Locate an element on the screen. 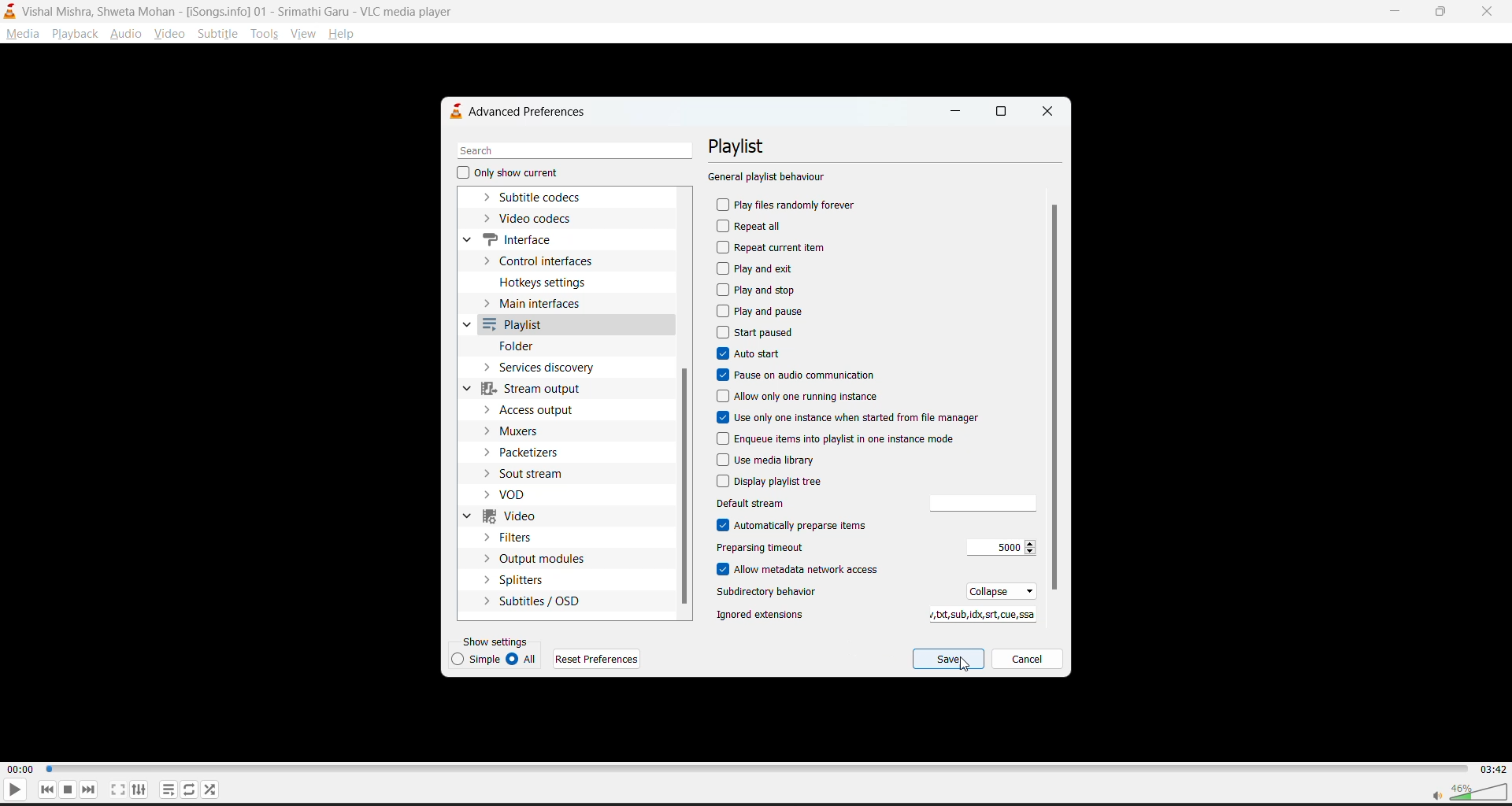 The image size is (1512, 806). subdirectory behaviour is located at coordinates (876, 592).